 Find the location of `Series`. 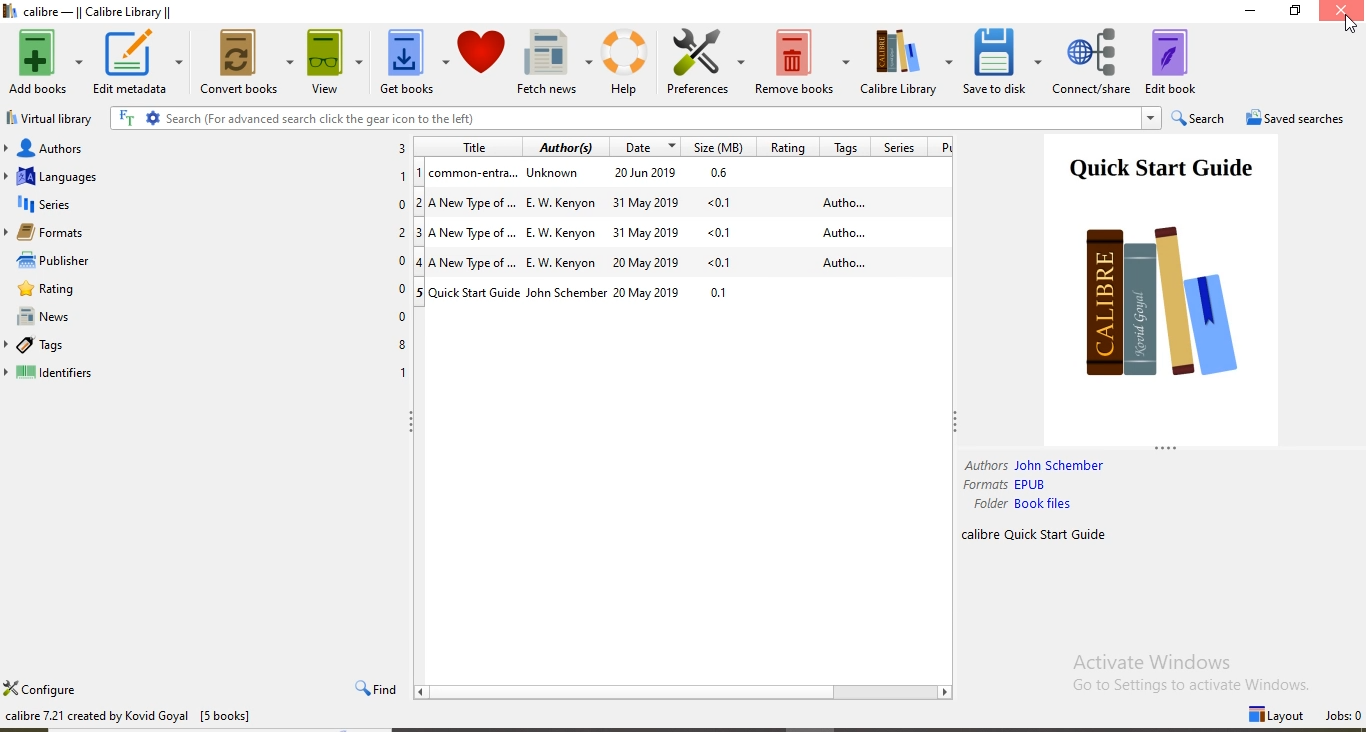

Series is located at coordinates (206, 204).